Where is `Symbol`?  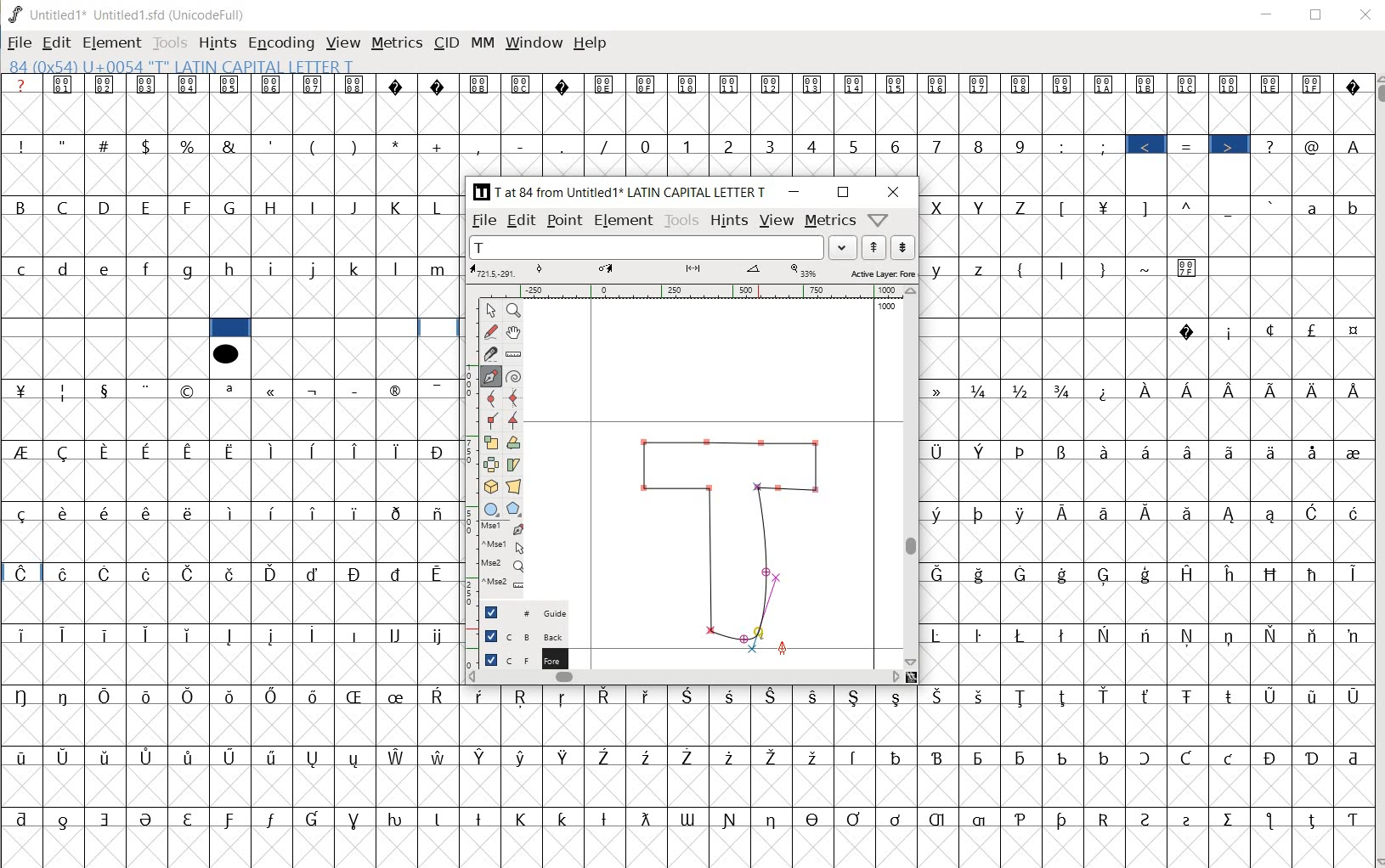 Symbol is located at coordinates (981, 450).